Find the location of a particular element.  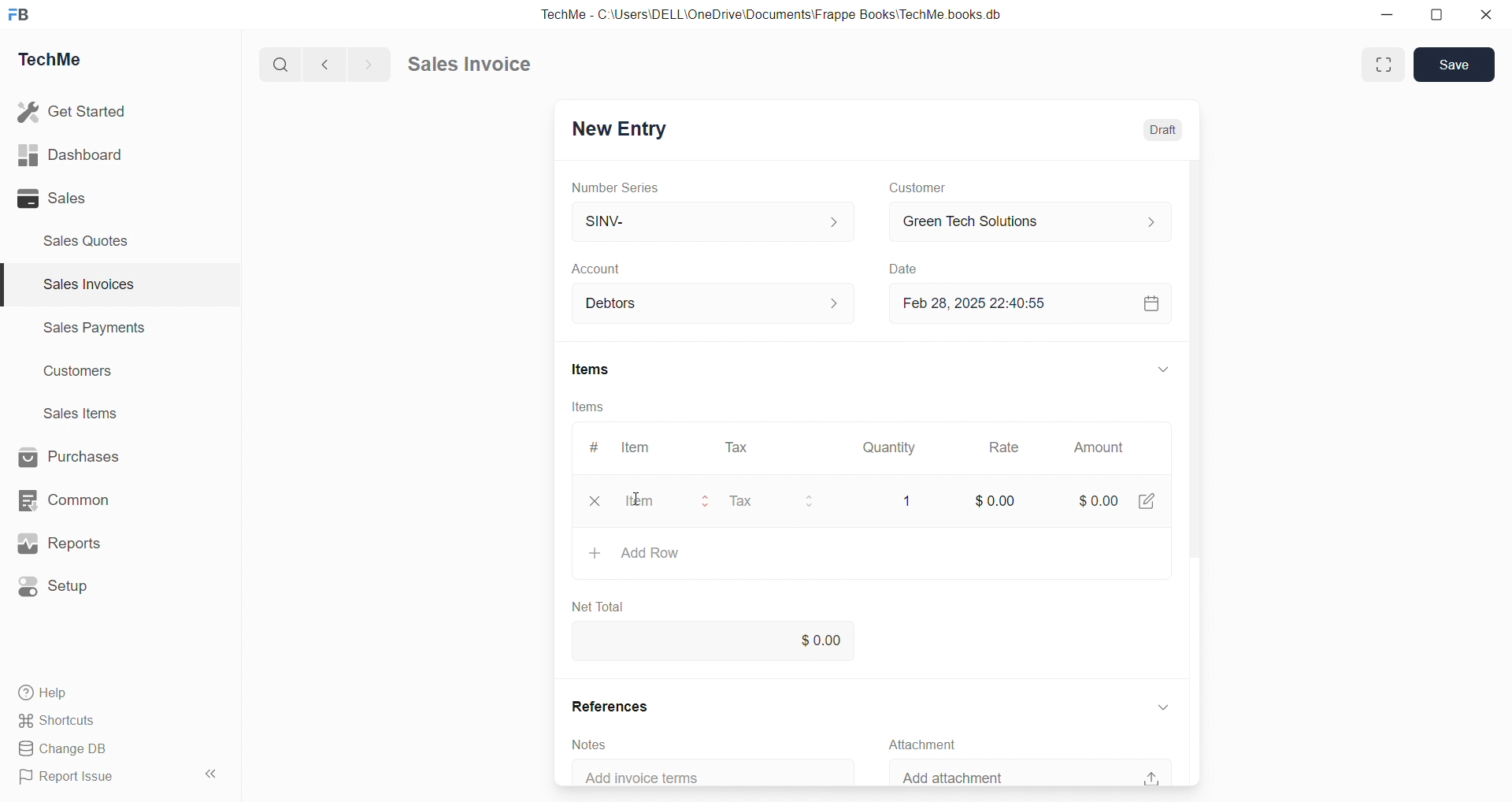

Draft is located at coordinates (1162, 131).